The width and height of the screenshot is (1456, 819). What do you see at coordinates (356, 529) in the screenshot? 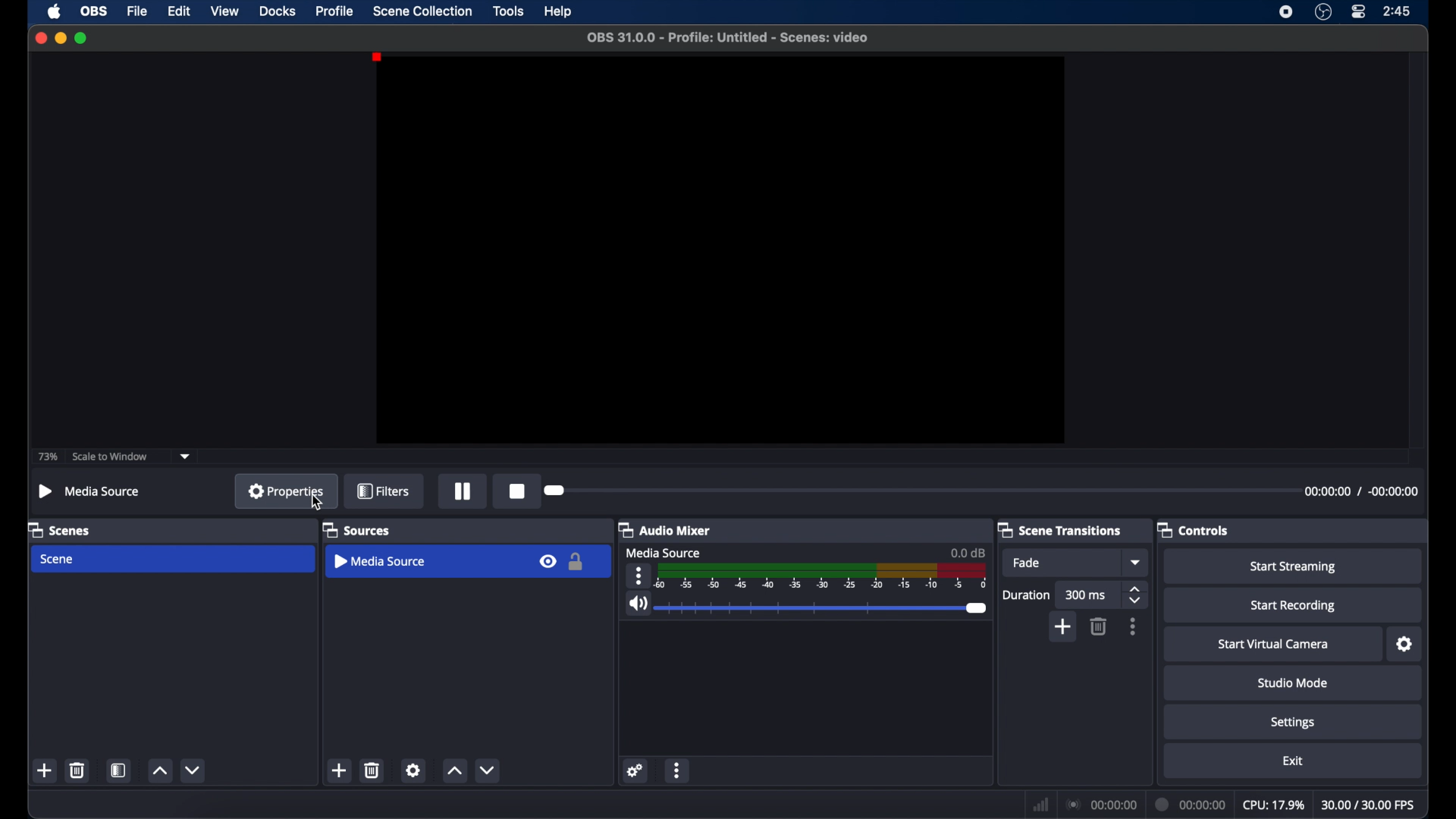
I see `sources` at bounding box center [356, 529].